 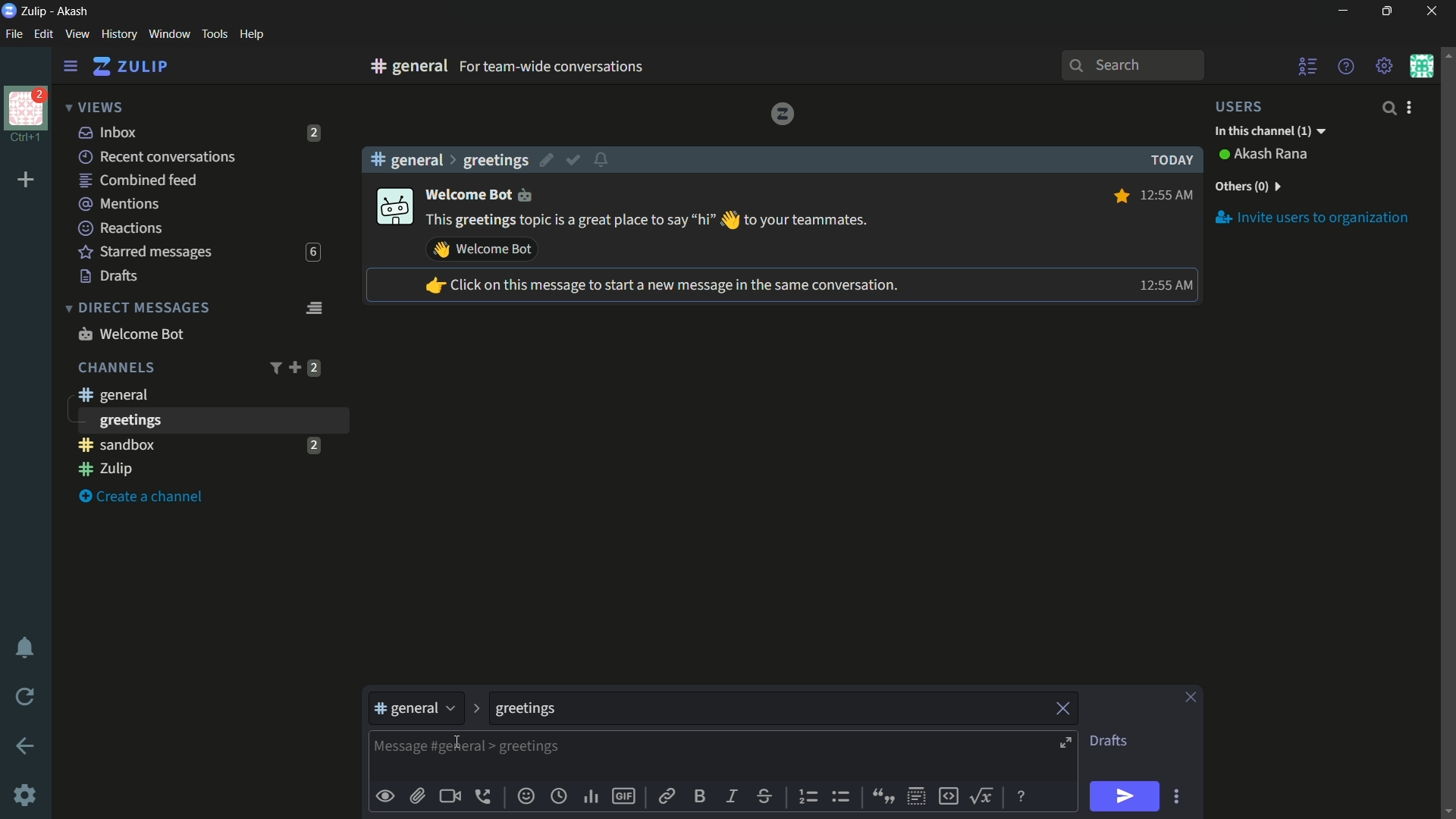 I want to click on add globe, so click(x=559, y=798).